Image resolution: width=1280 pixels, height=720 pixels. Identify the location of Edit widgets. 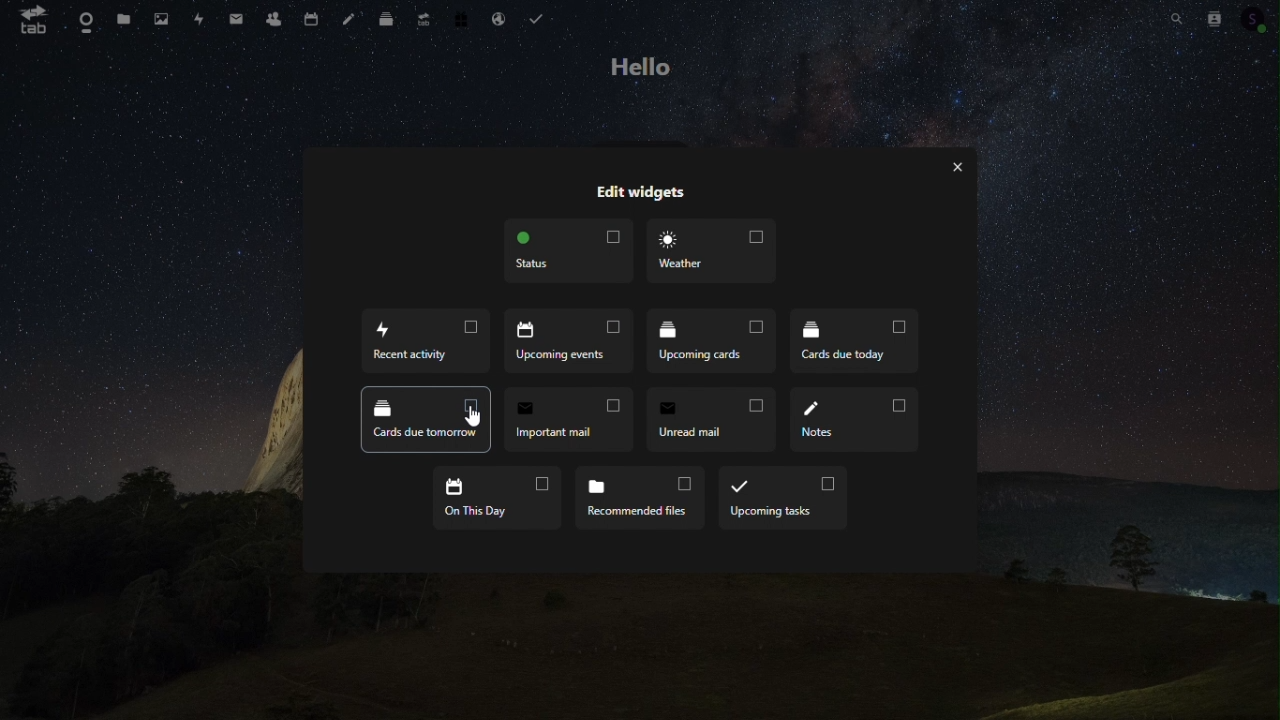
(641, 193).